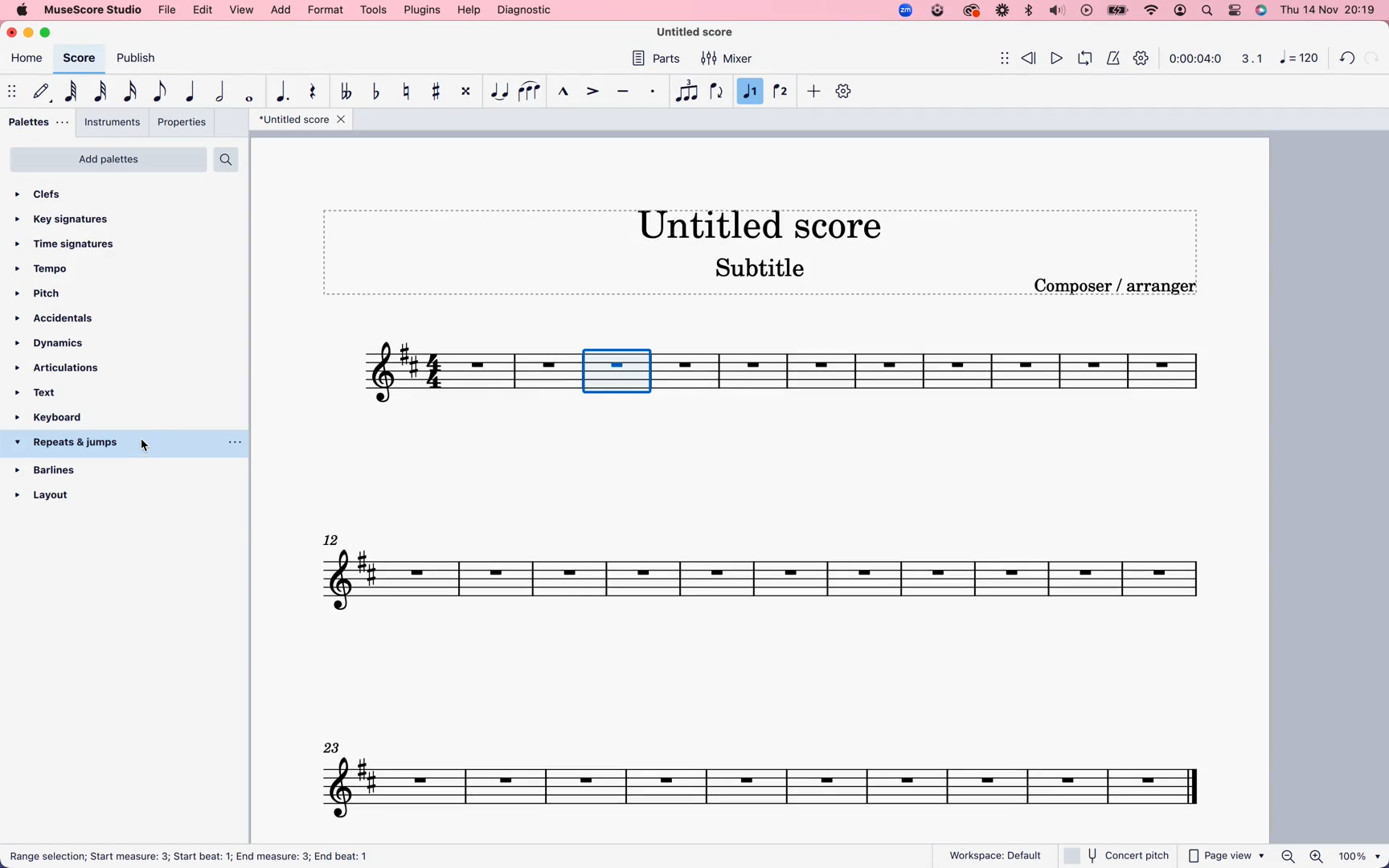 This screenshot has width=1389, height=868. What do you see at coordinates (686, 92) in the screenshot?
I see `tuplet` at bounding box center [686, 92].